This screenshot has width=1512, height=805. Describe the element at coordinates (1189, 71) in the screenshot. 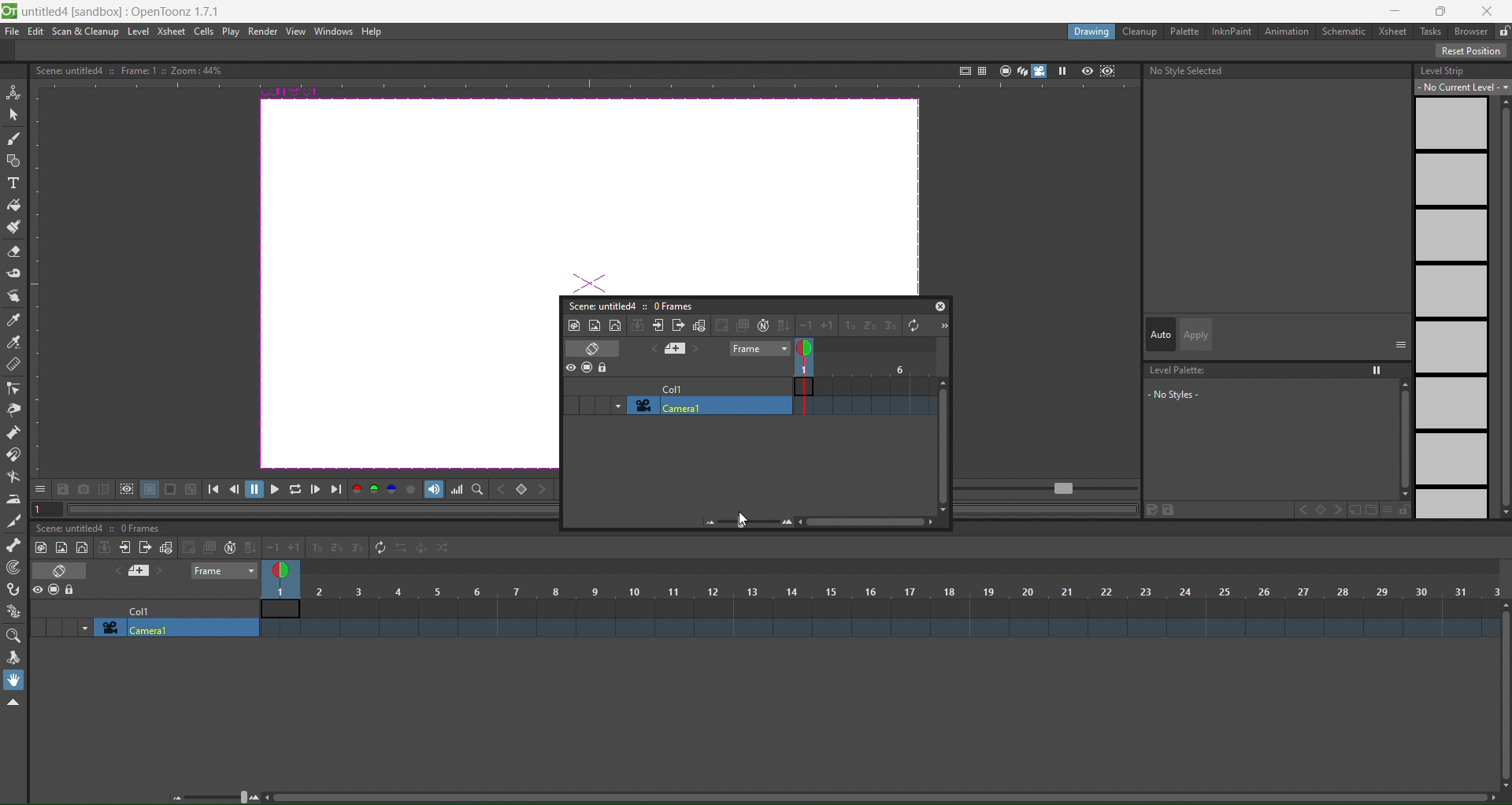

I see `text` at that location.